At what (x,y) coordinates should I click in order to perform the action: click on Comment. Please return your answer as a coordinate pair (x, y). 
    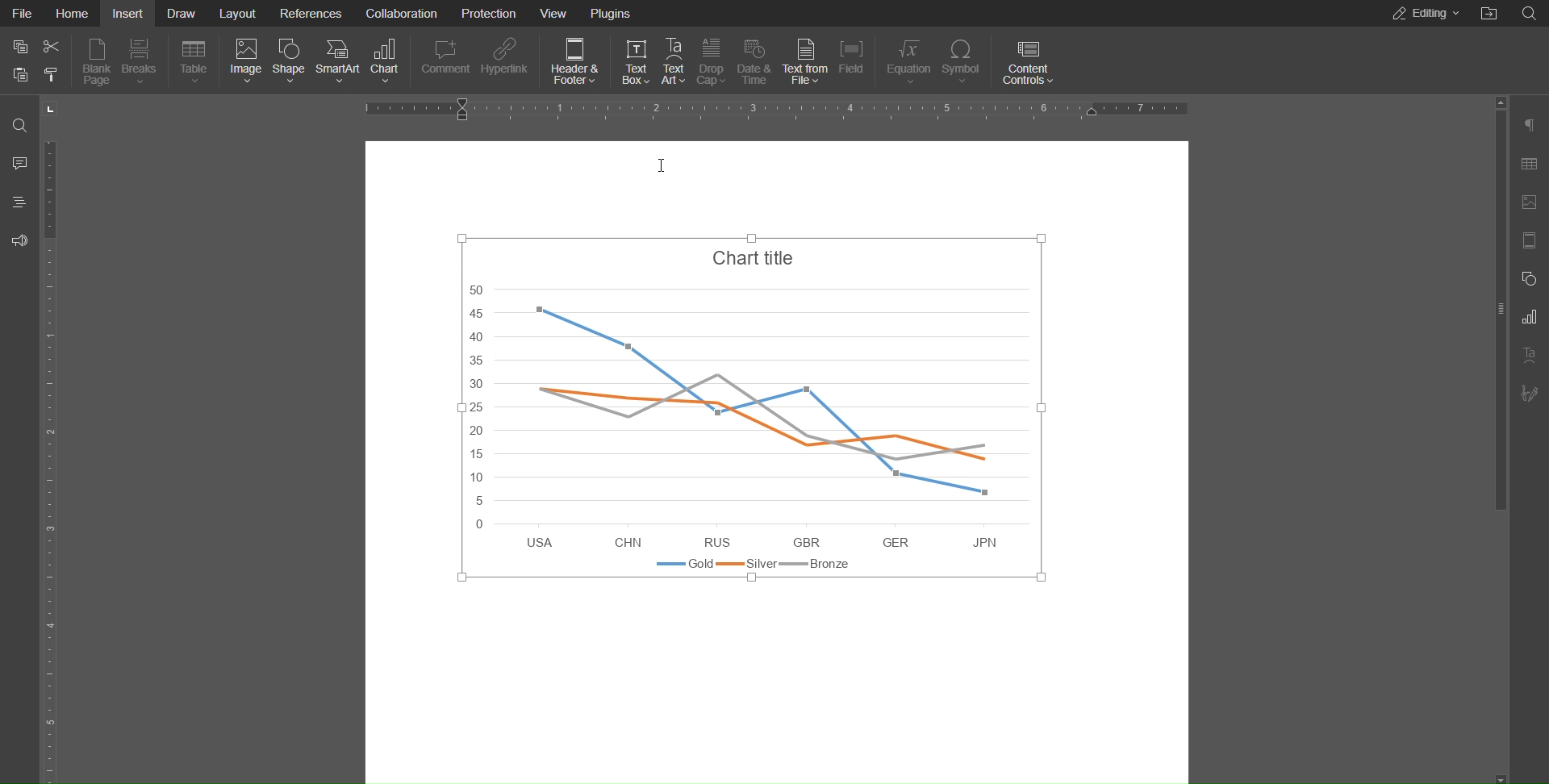
    Looking at the image, I should click on (445, 62).